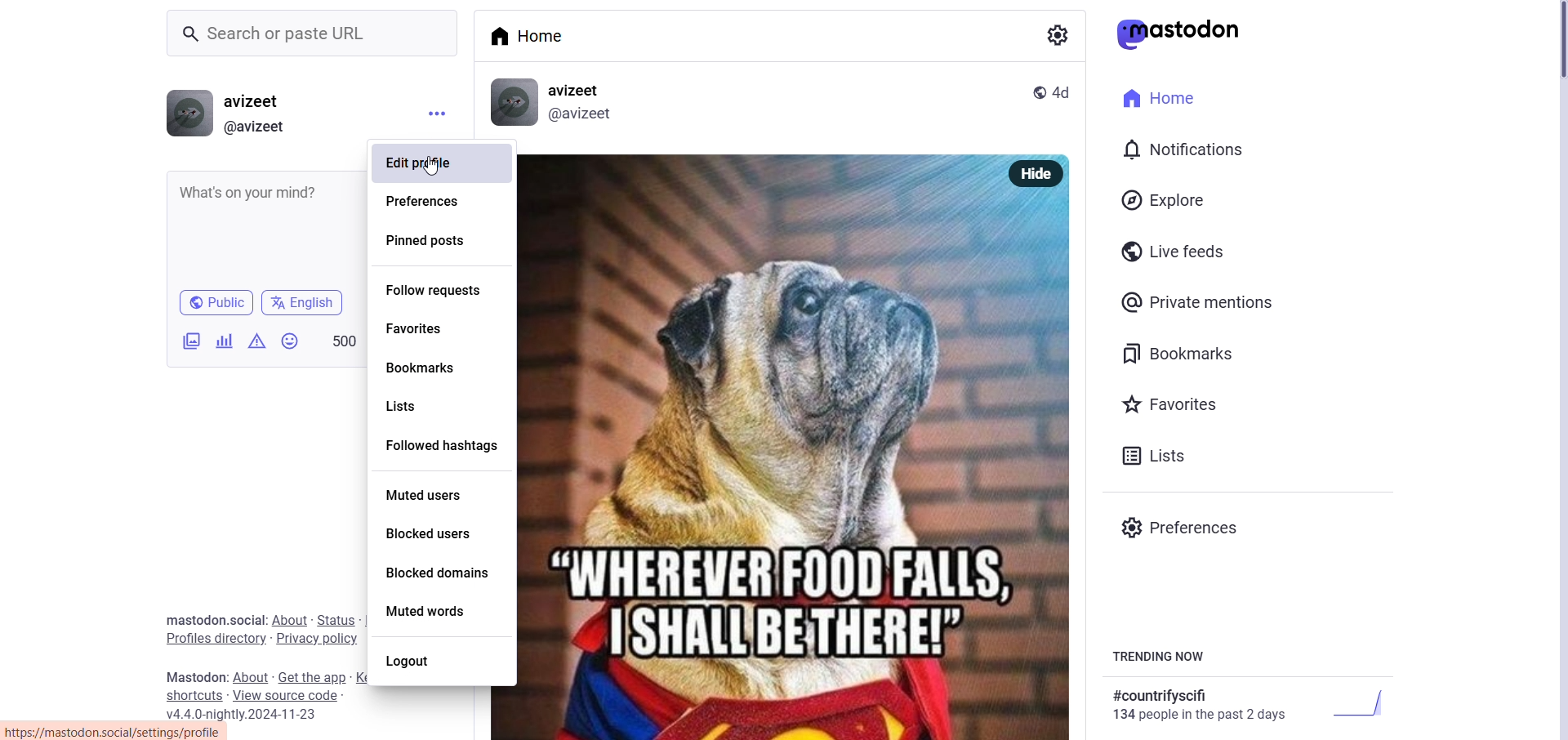 Image resolution: width=1568 pixels, height=740 pixels. What do you see at coordinates (1053, 34) in the screenshot?
I see `text` at bounding box center [1053, 34].